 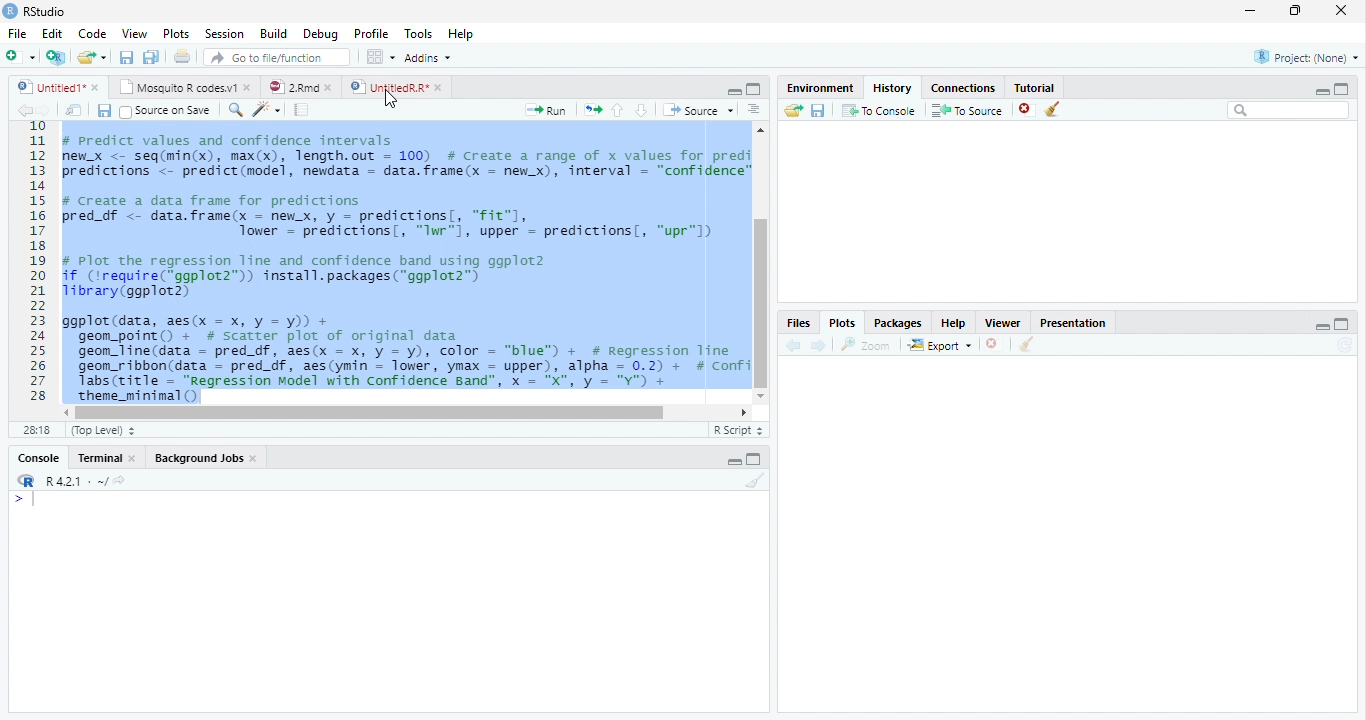 I want to click on Tools, so click(x=421, y=34).